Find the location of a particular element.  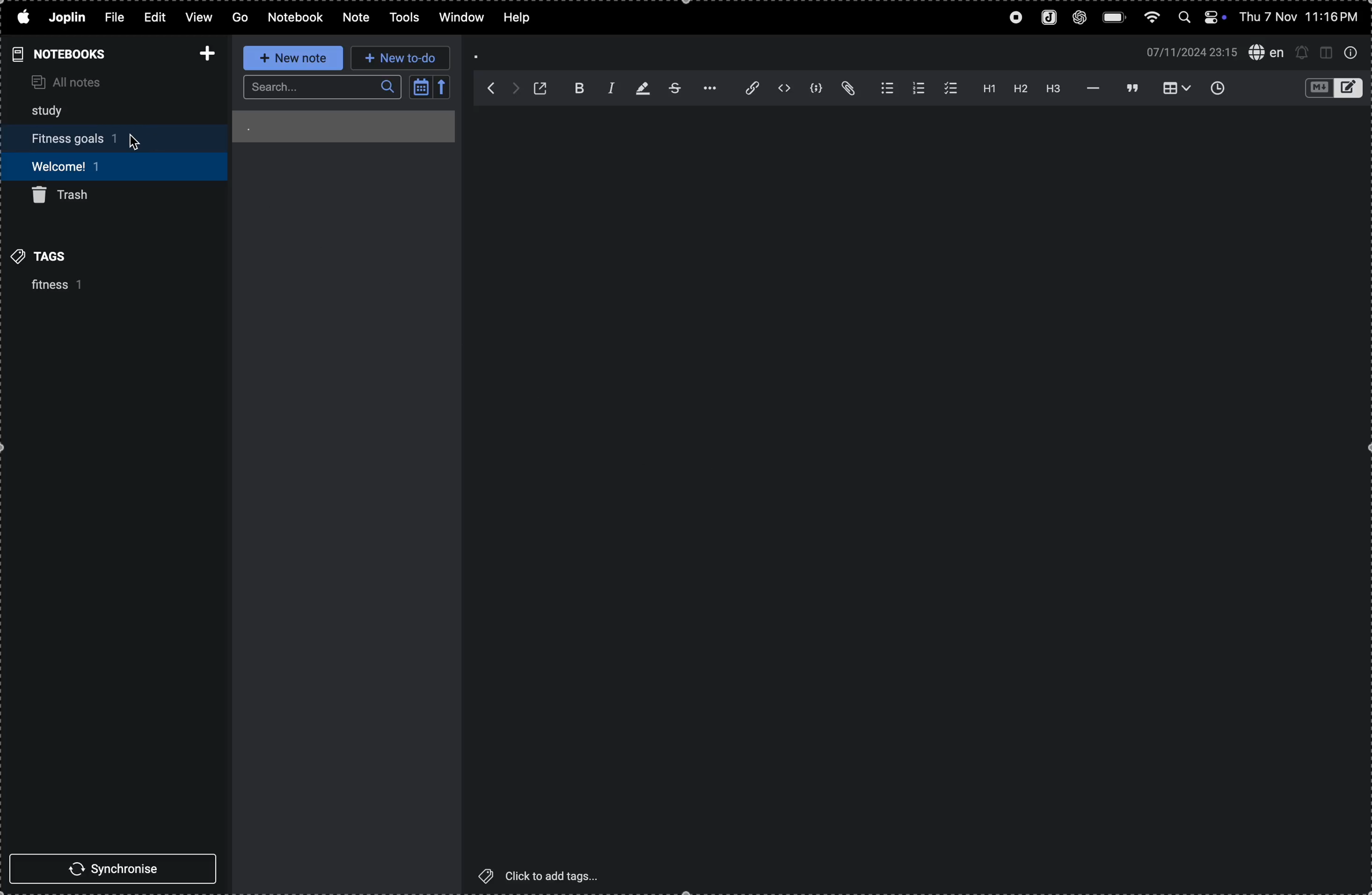

notebooks is located at coordinates (66, 54).